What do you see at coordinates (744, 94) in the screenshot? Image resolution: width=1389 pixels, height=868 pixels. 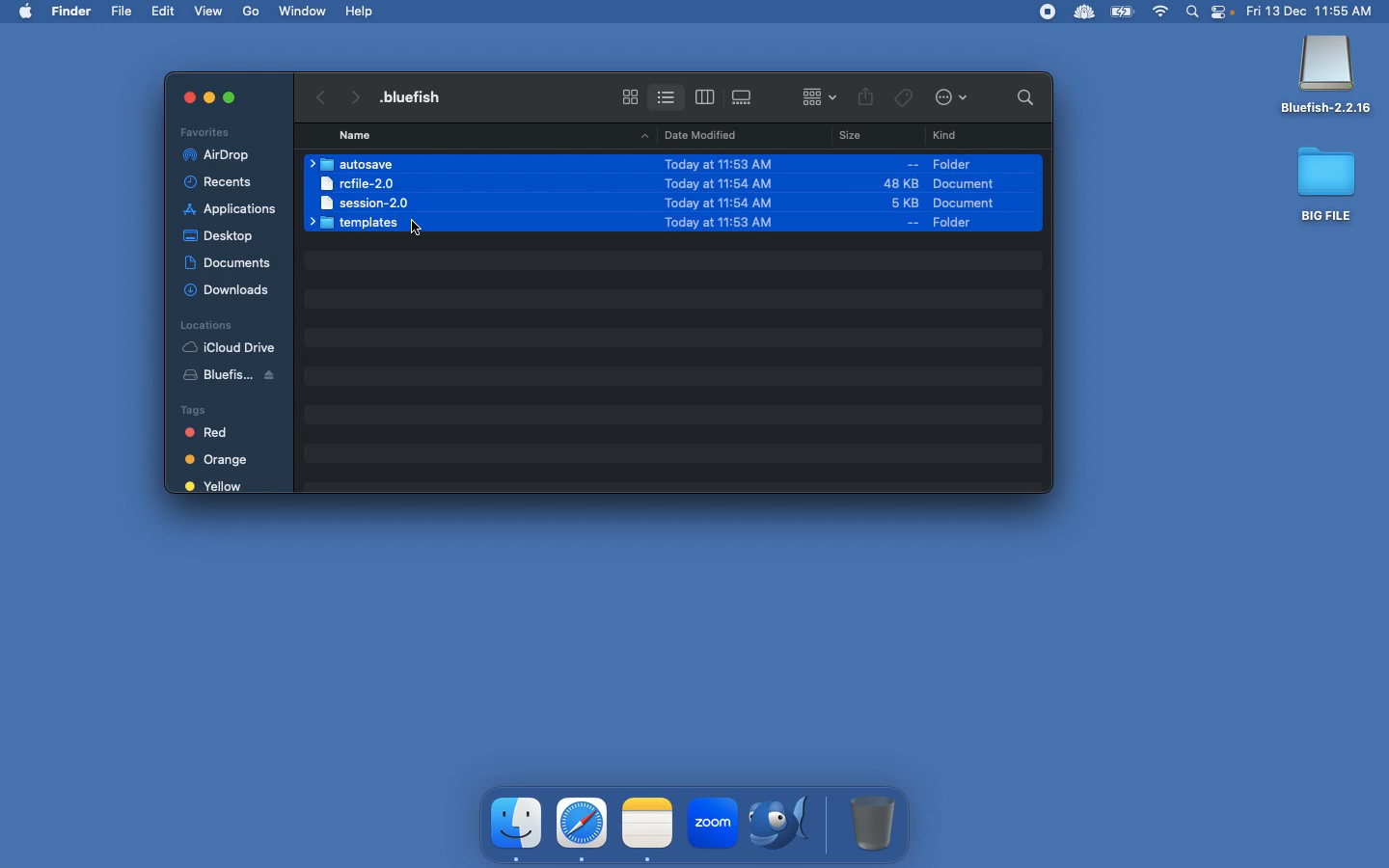 I see `Gallery View` at bounding box center [744, 94].